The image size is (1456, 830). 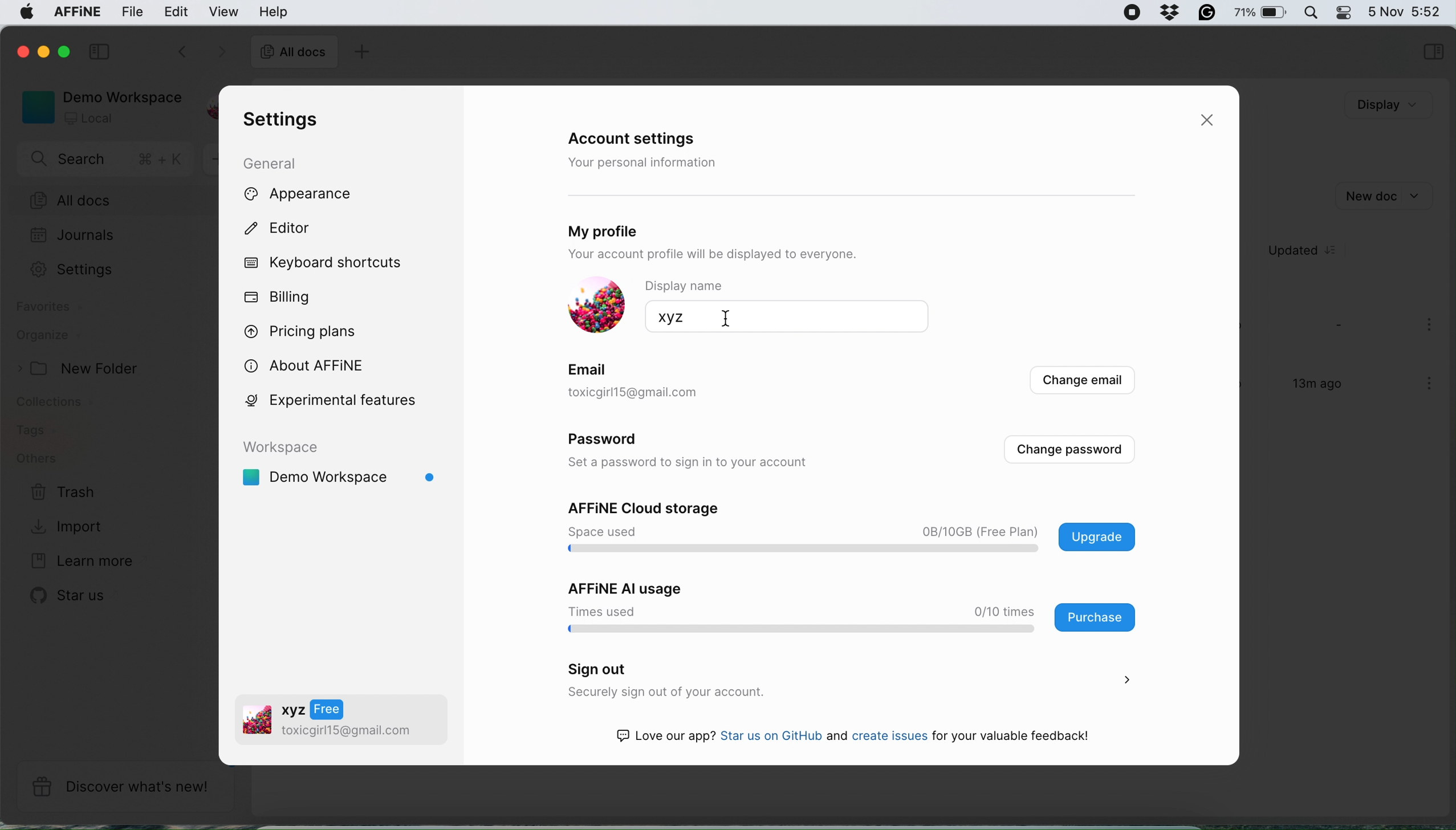 What do you see at coordinates (596, 306) in the screenshot?
I see `display picture` at bounding box center [596, 306].